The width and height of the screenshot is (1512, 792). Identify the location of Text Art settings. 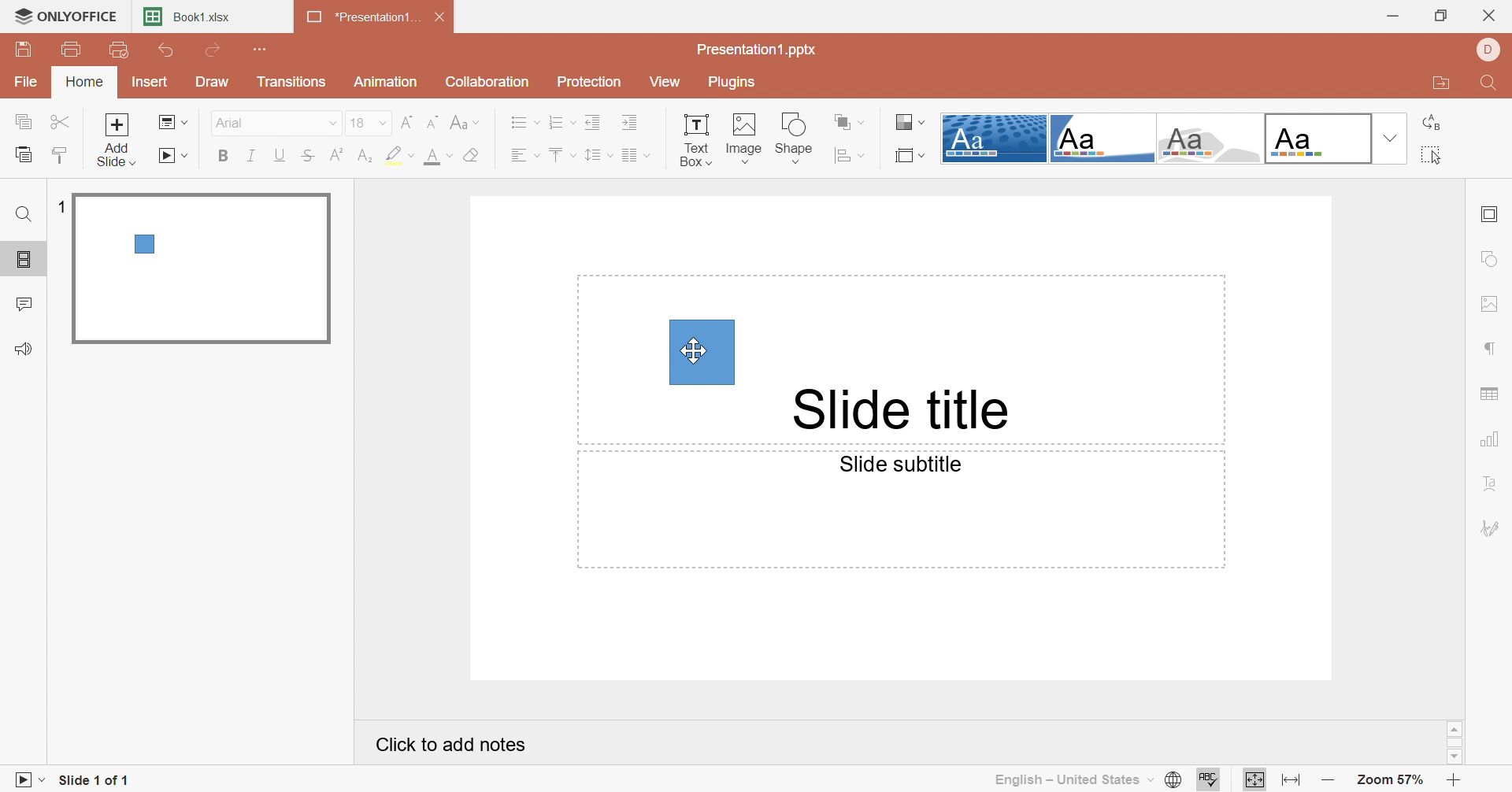
(1494, 487).